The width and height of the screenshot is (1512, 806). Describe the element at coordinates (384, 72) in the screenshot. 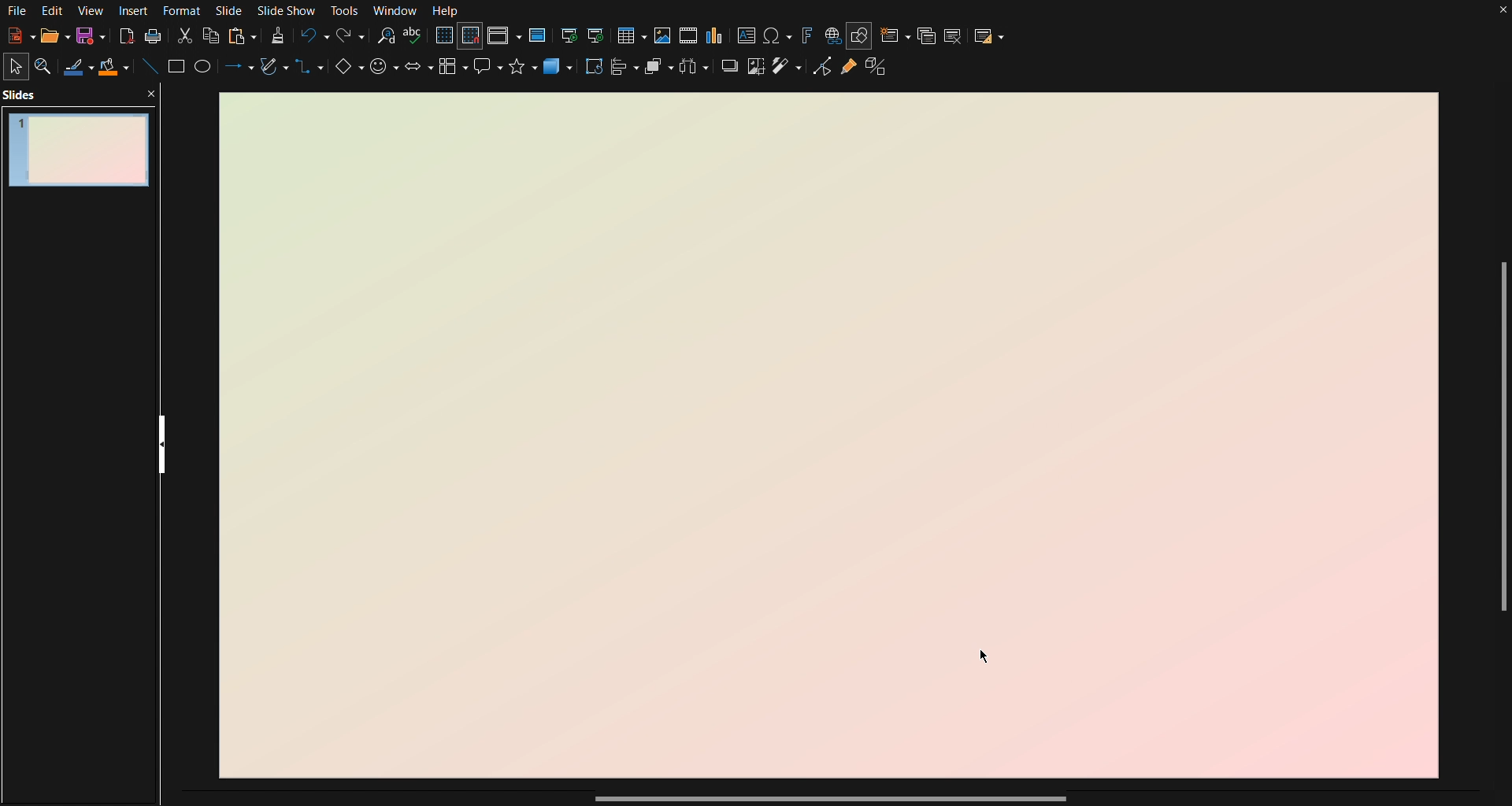

I see `Symbol Shapes` at that location.